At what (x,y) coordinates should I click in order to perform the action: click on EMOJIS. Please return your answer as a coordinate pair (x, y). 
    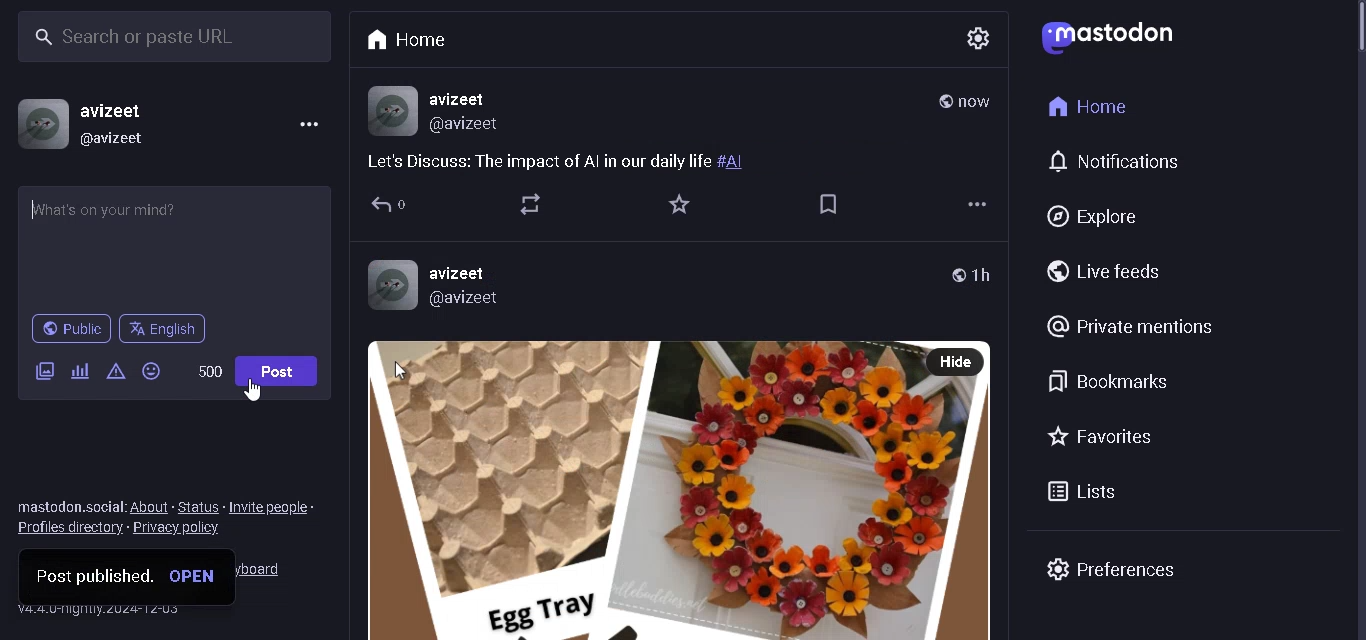
    Looking at the image, I should click on (152, 370).